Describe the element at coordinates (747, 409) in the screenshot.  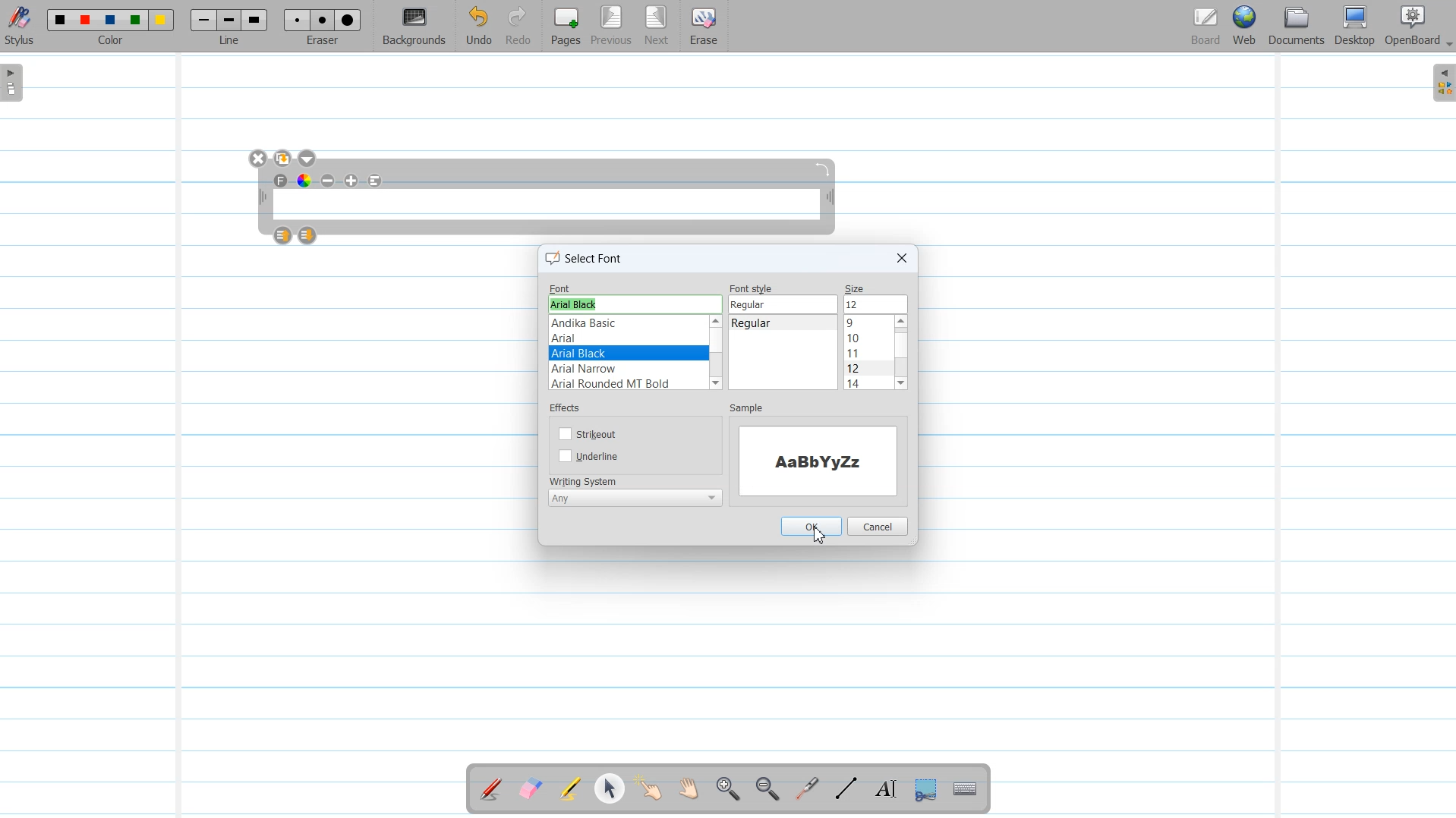
I see `sample` at that location.